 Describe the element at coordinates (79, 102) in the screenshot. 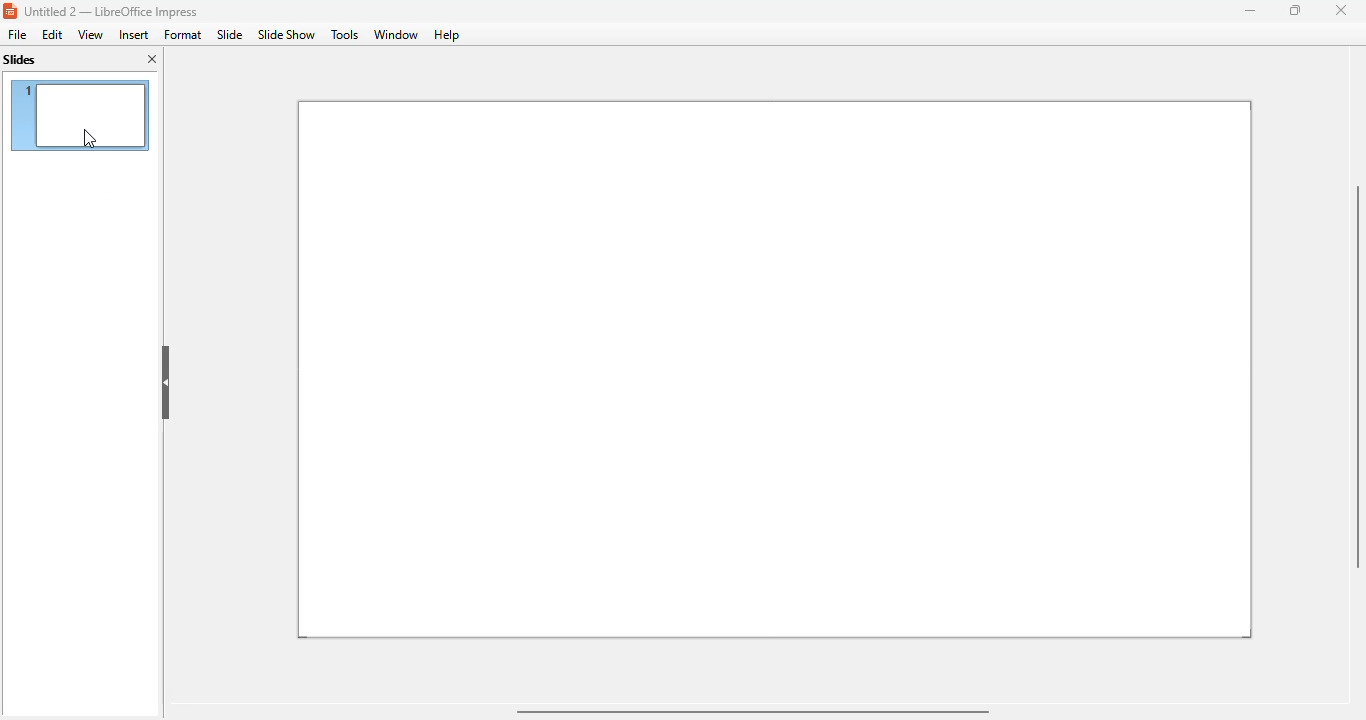

I see `slide 1` at that location.